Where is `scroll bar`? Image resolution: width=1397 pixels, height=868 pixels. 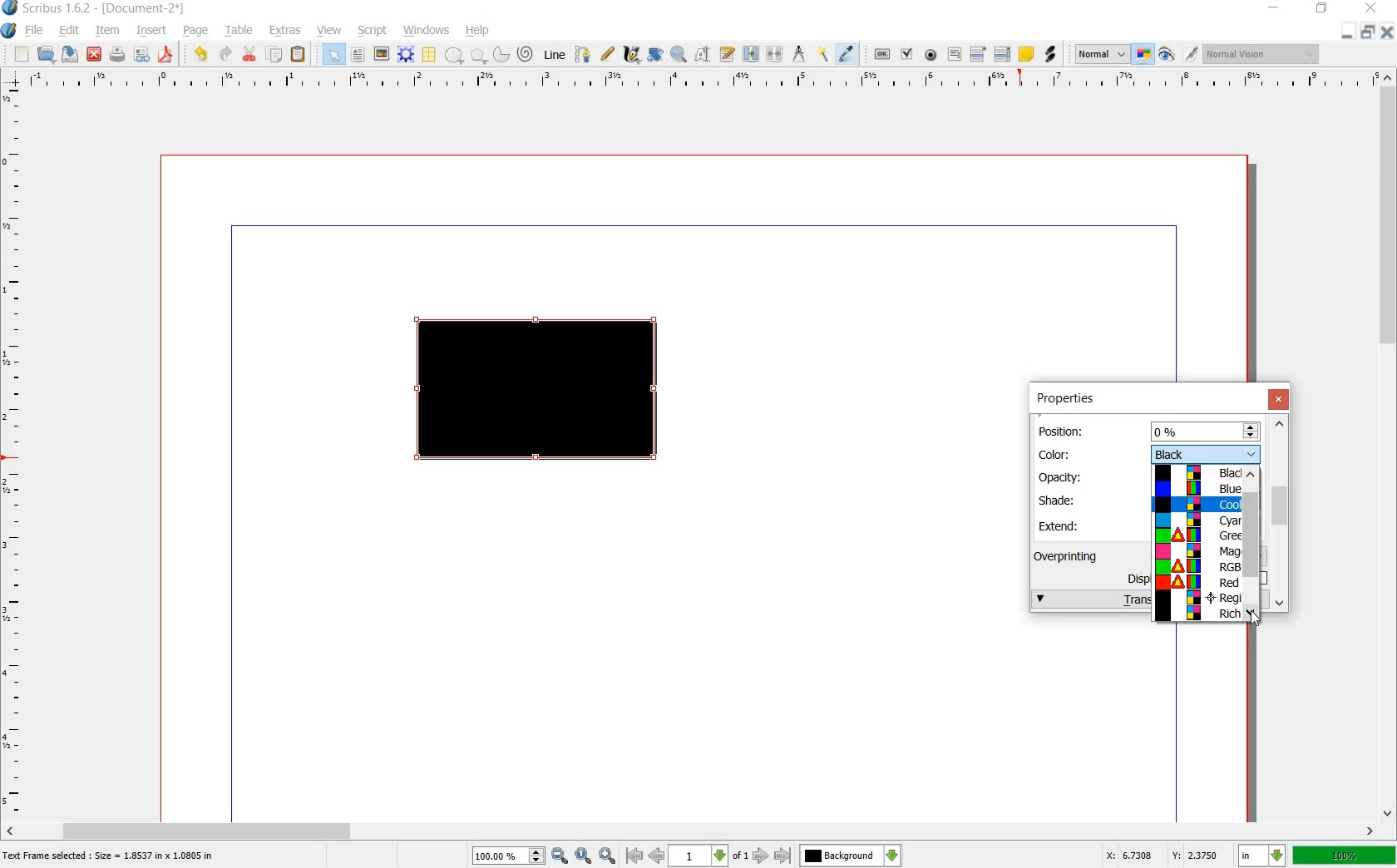 scroll bar is located at coordinates (1389, 446).